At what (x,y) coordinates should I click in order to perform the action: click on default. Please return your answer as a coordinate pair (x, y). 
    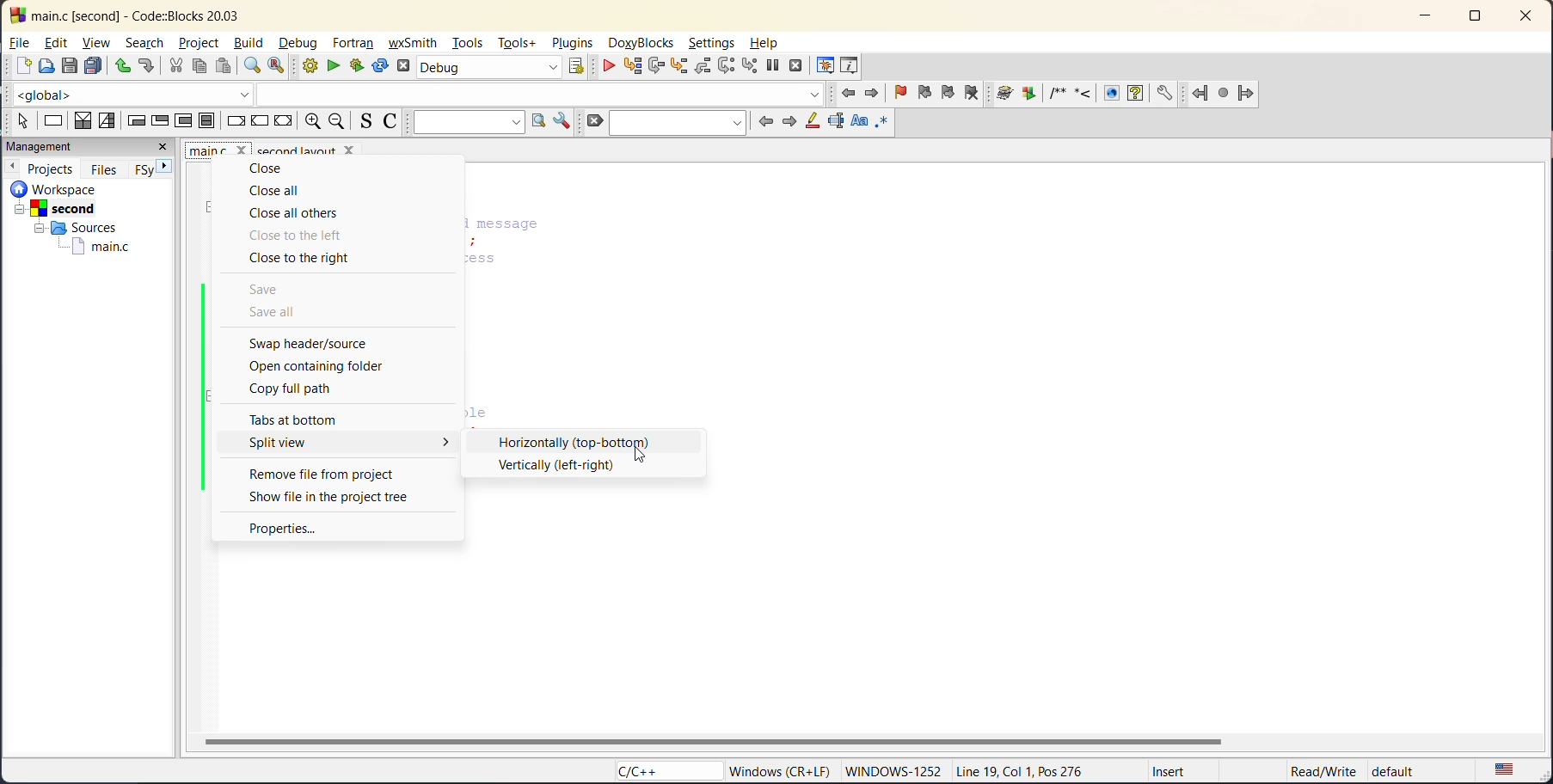
    Looking at the image, I should click on (1413, 768).